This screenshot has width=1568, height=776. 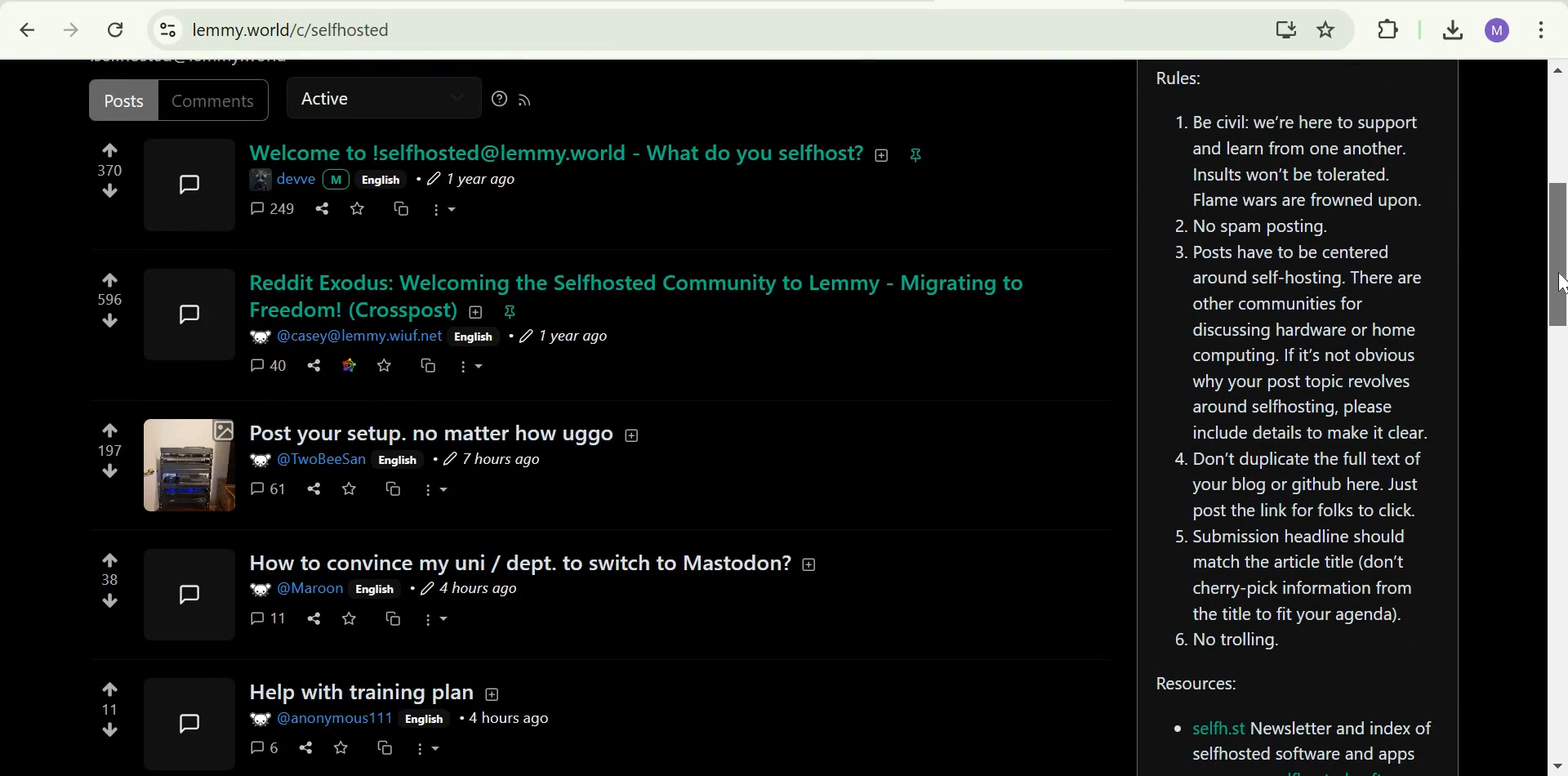 I want to click on upvote, so click(x=111, y=560).